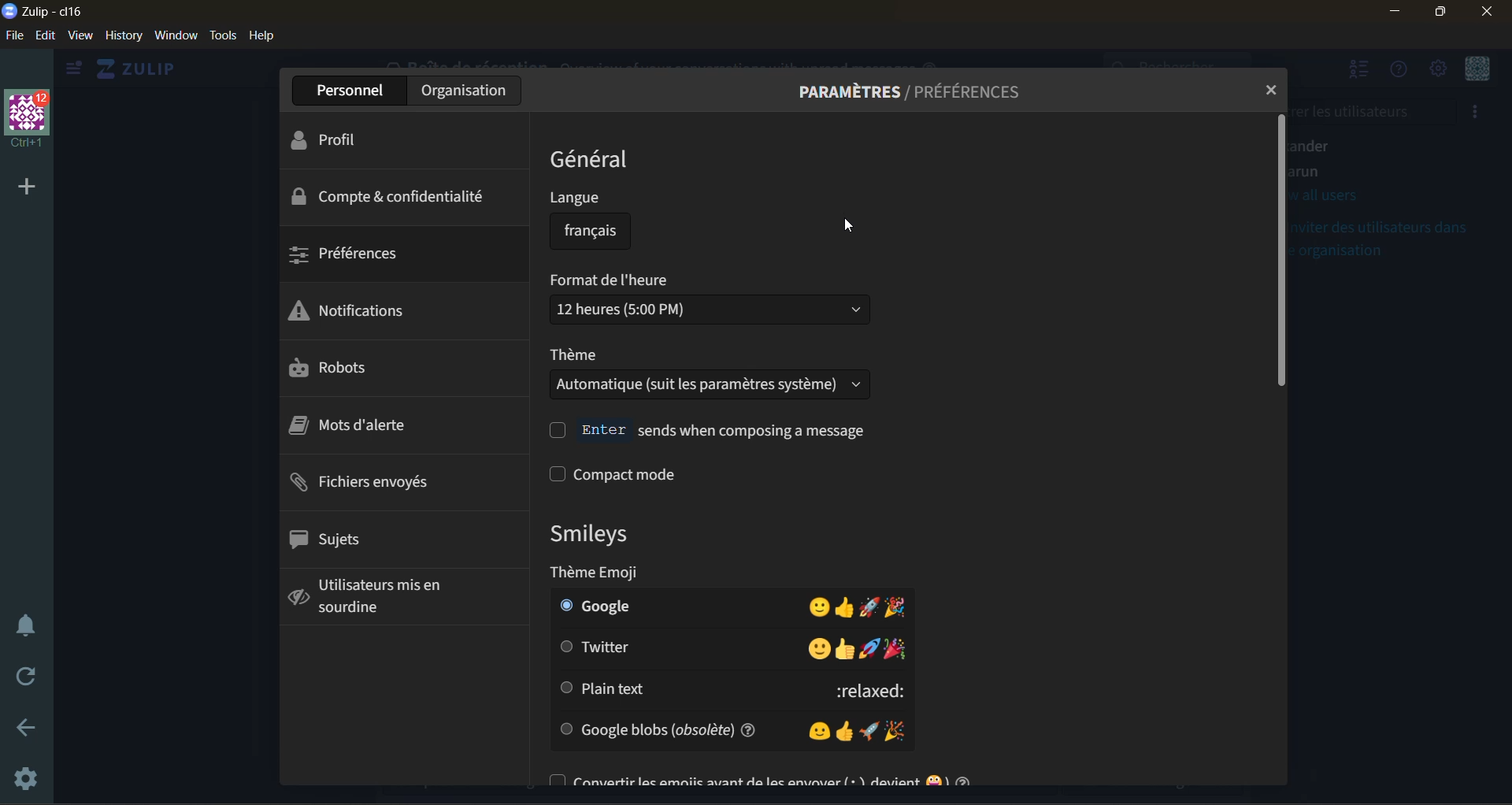  I want to click on general, so click(590, 159).